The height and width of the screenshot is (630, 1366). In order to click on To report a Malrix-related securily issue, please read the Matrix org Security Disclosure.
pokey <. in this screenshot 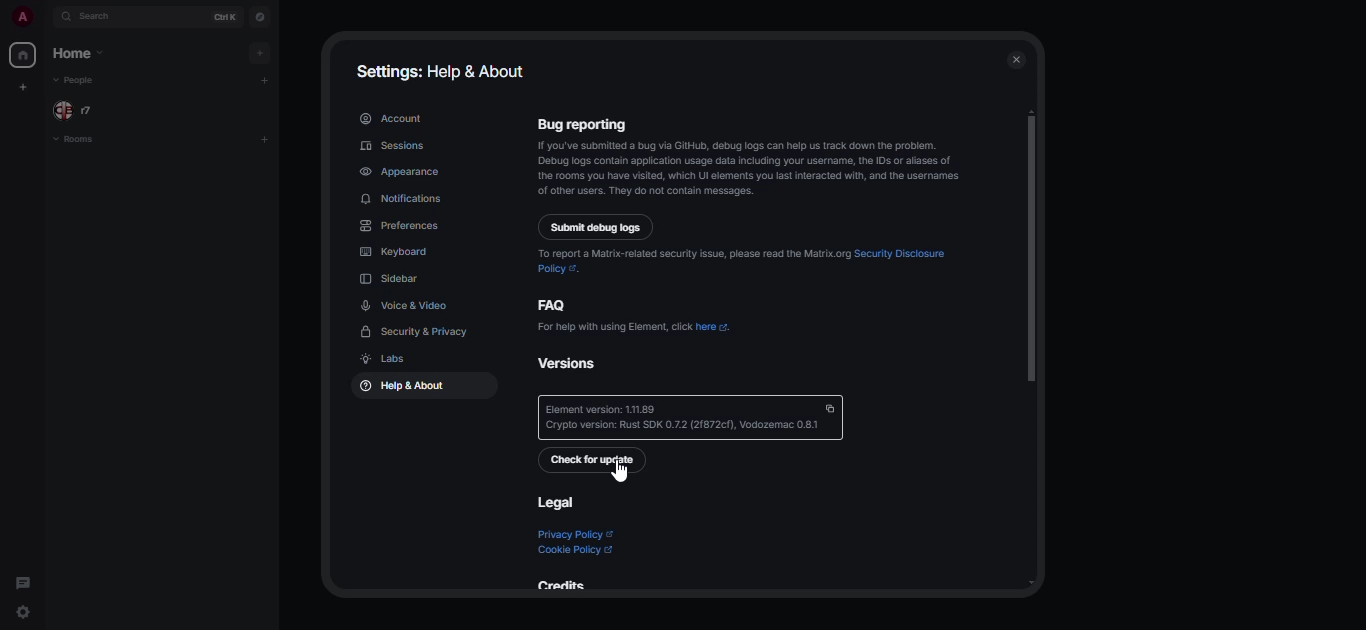, I will do `click(744, 263)`.